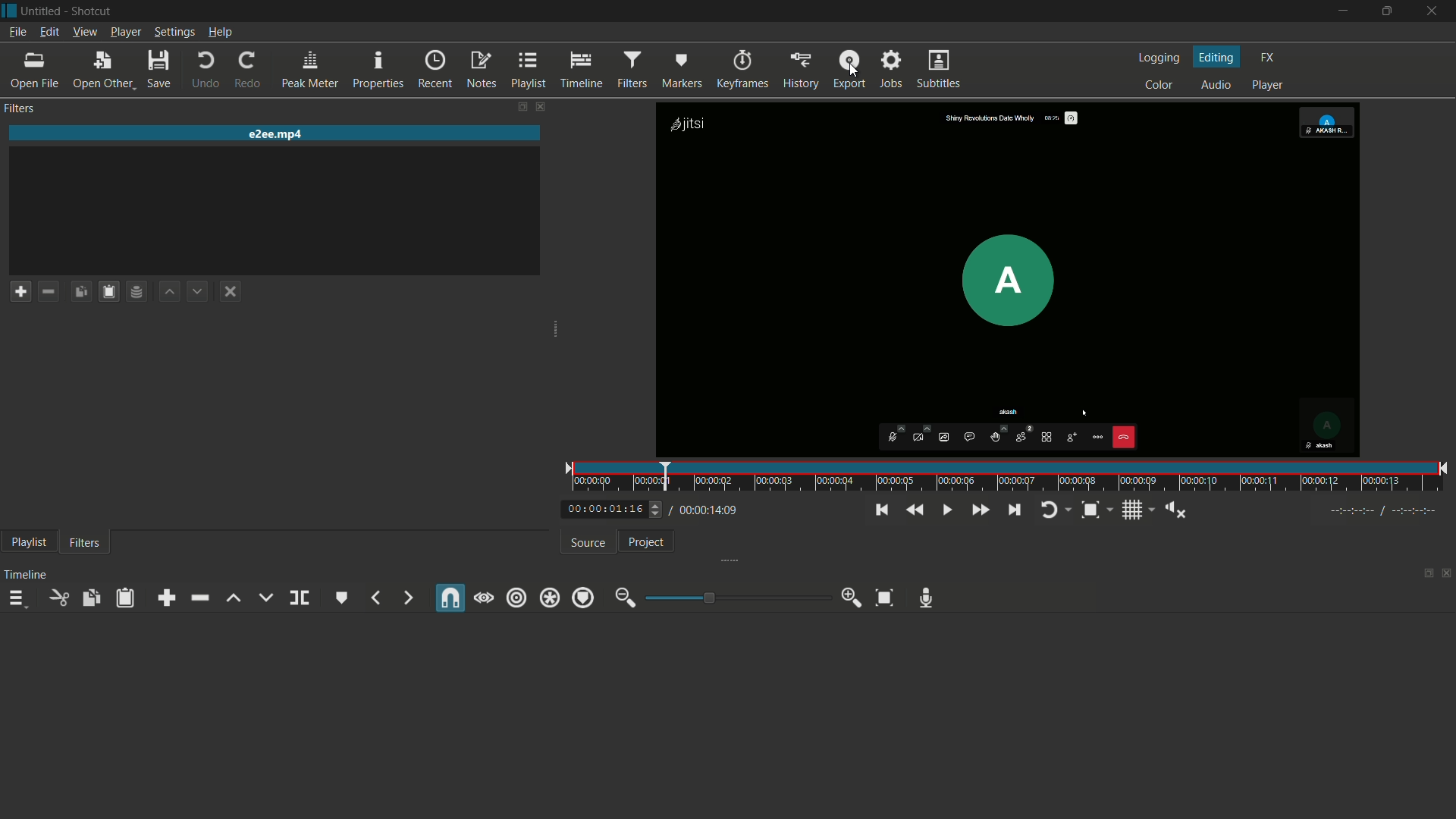 The width and height of the screenshot is (1456, 819). Describe the element at coordinates (9, 9) in the screenshot. I see `app icon` at that location.